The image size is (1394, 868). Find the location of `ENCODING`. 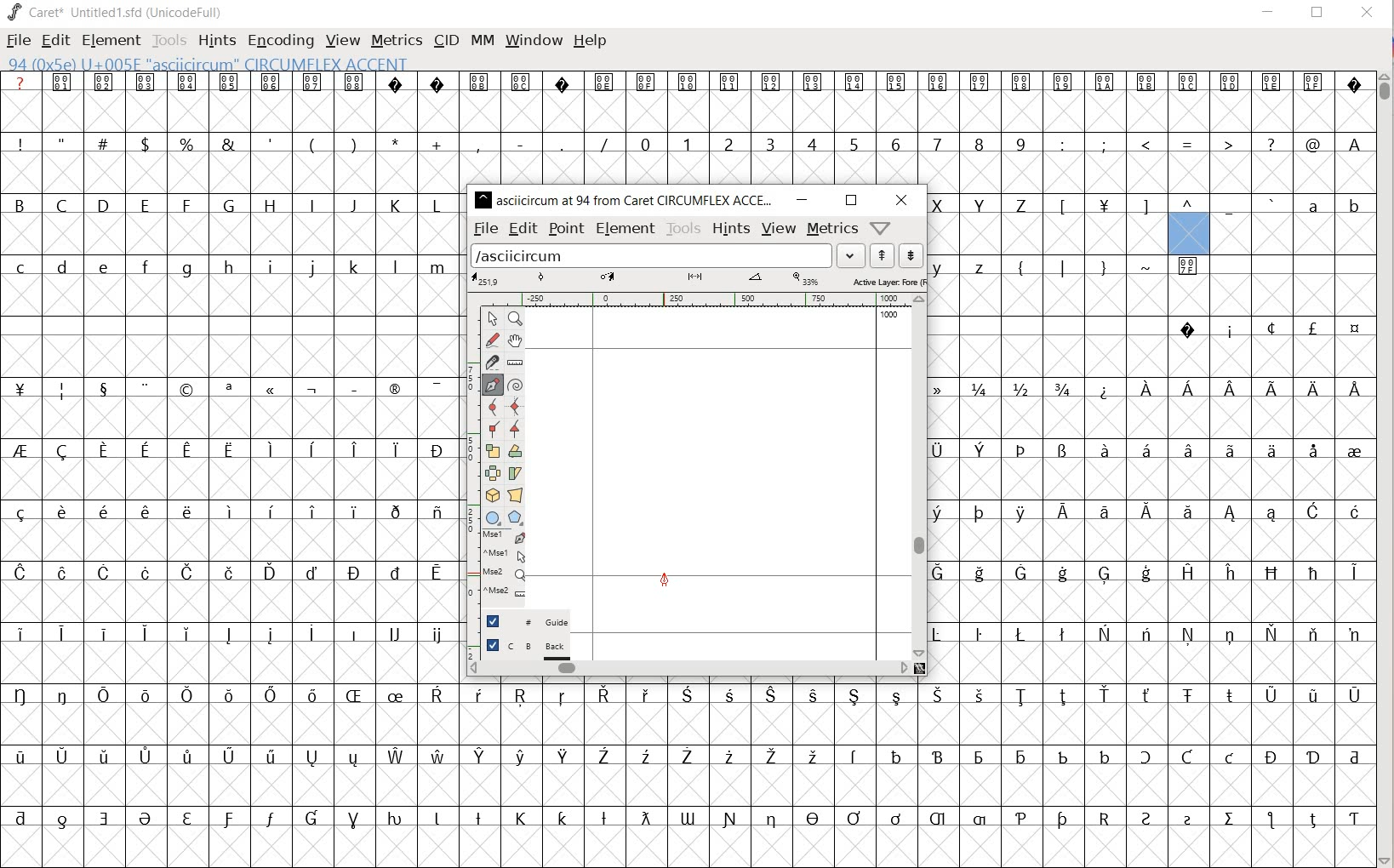

ENCODING is located at coordinates (281, 39).